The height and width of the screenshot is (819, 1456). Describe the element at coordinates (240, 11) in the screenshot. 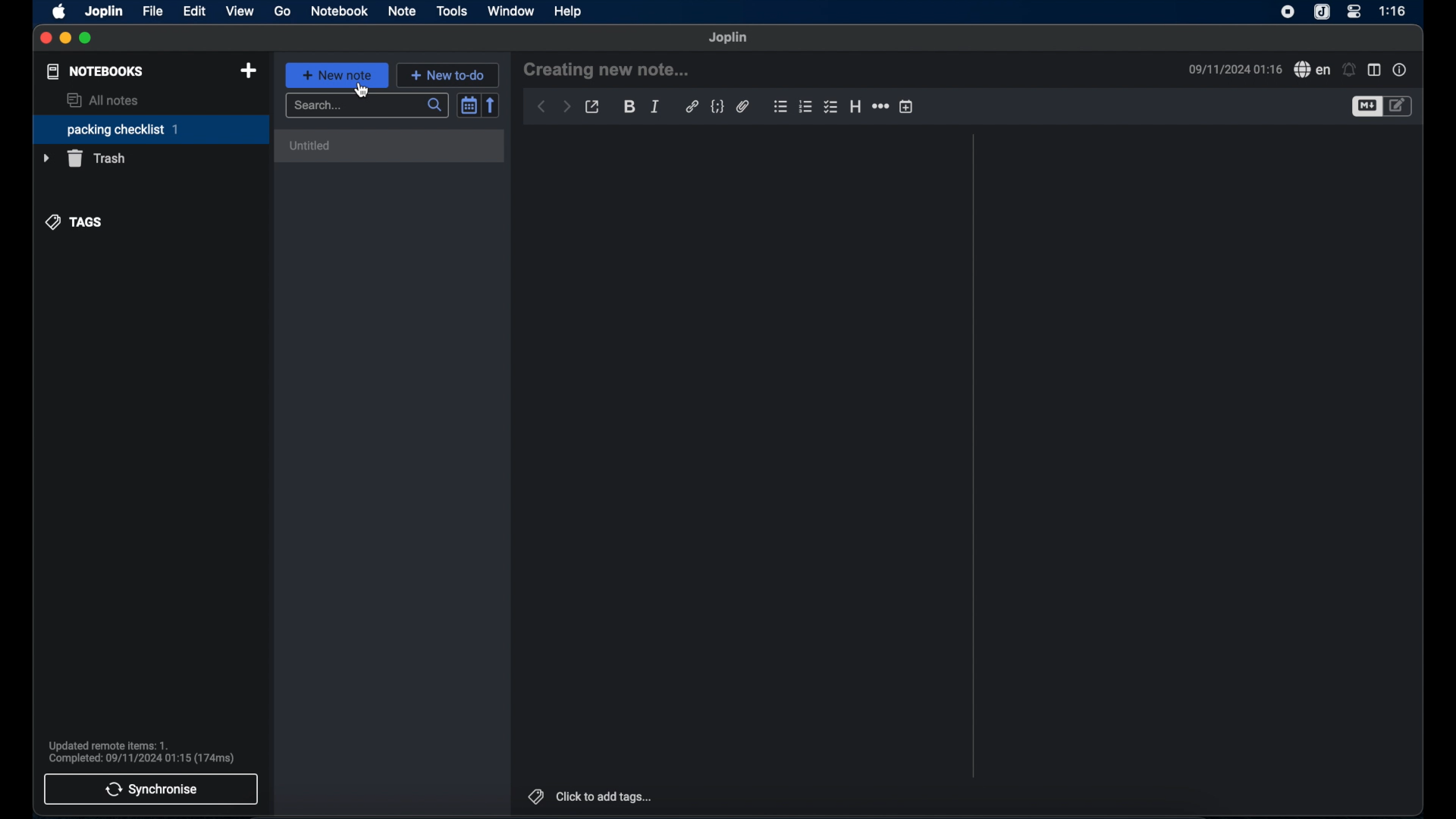

I see `view` at that location.